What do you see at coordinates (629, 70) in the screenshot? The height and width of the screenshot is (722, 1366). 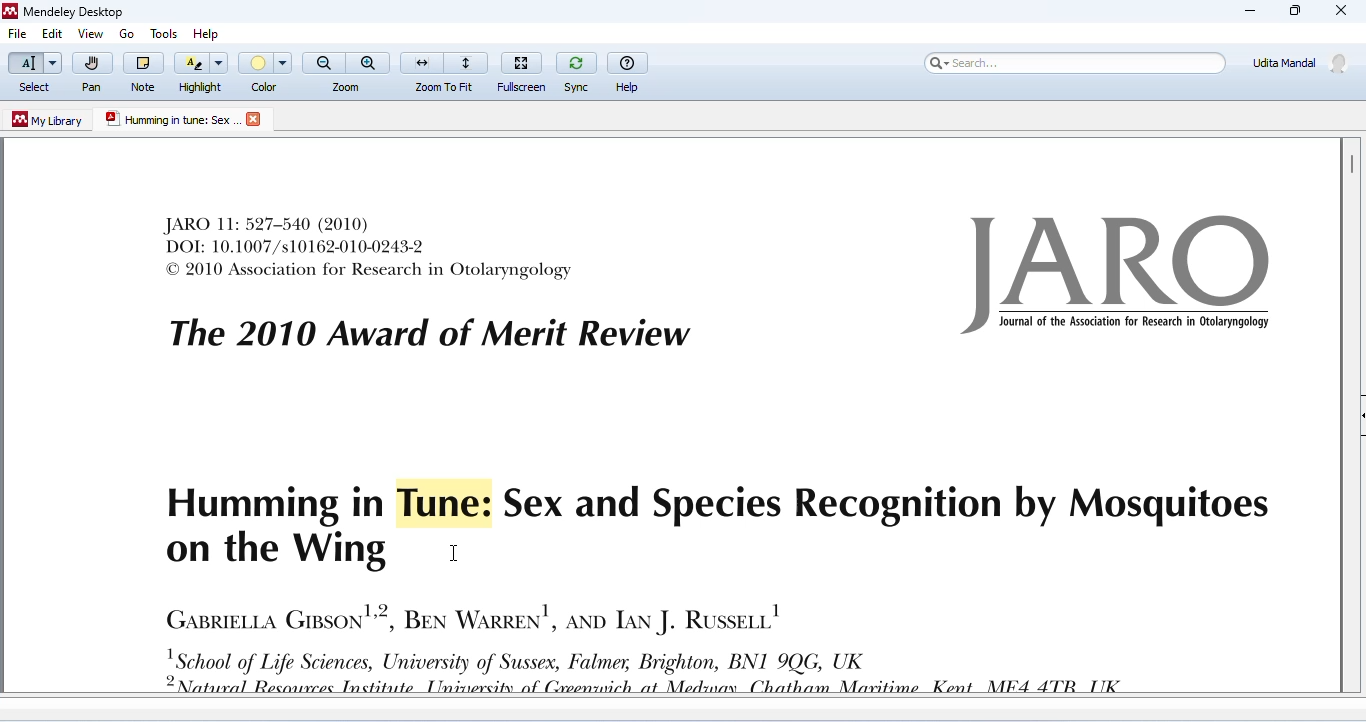 I see `help` at bounding box center [629, 70].